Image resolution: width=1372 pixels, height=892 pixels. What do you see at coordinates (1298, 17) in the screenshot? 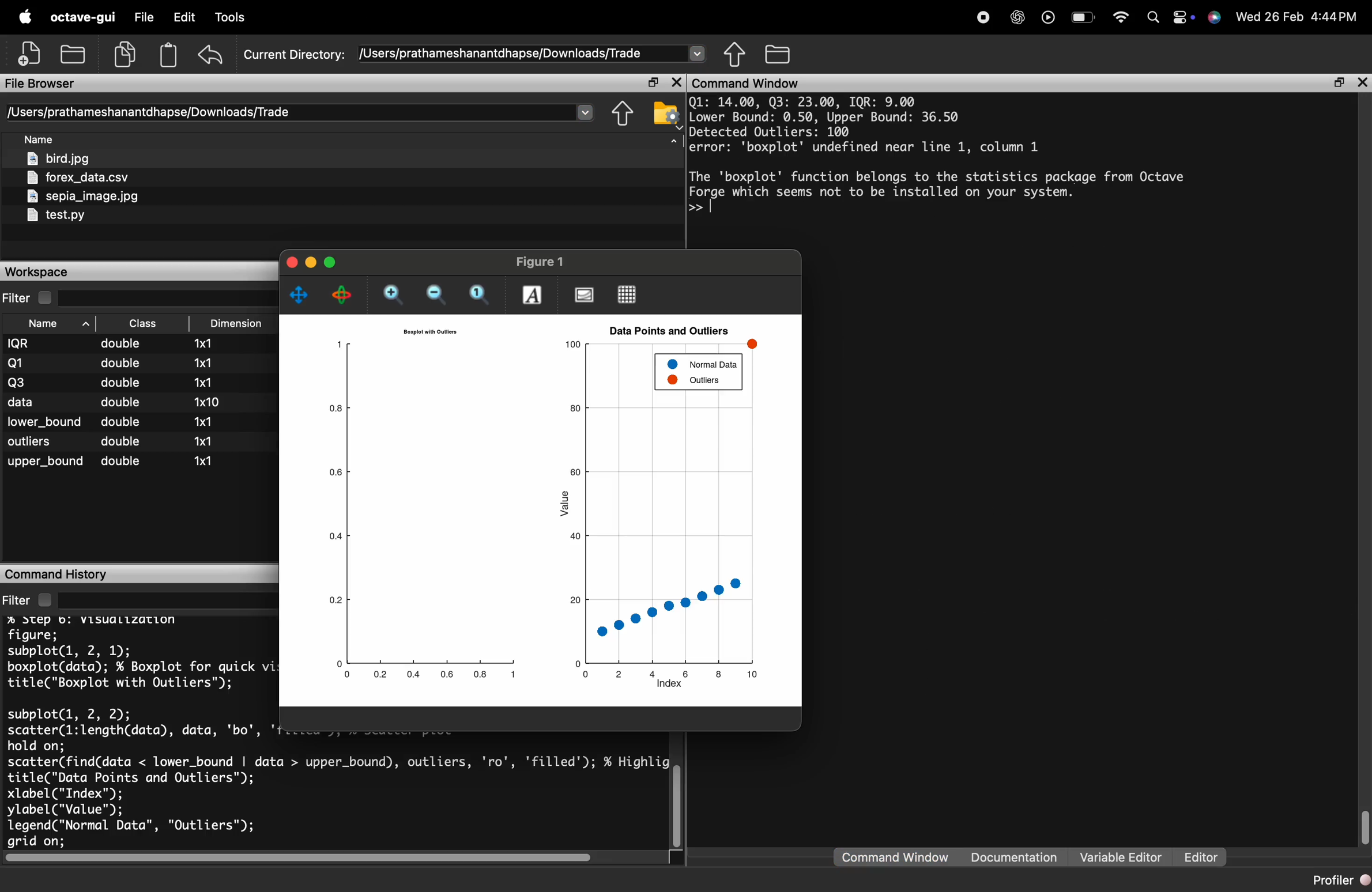
I see `Wed 26 Feb 4:44PM` at bounding box center [1298, 17].